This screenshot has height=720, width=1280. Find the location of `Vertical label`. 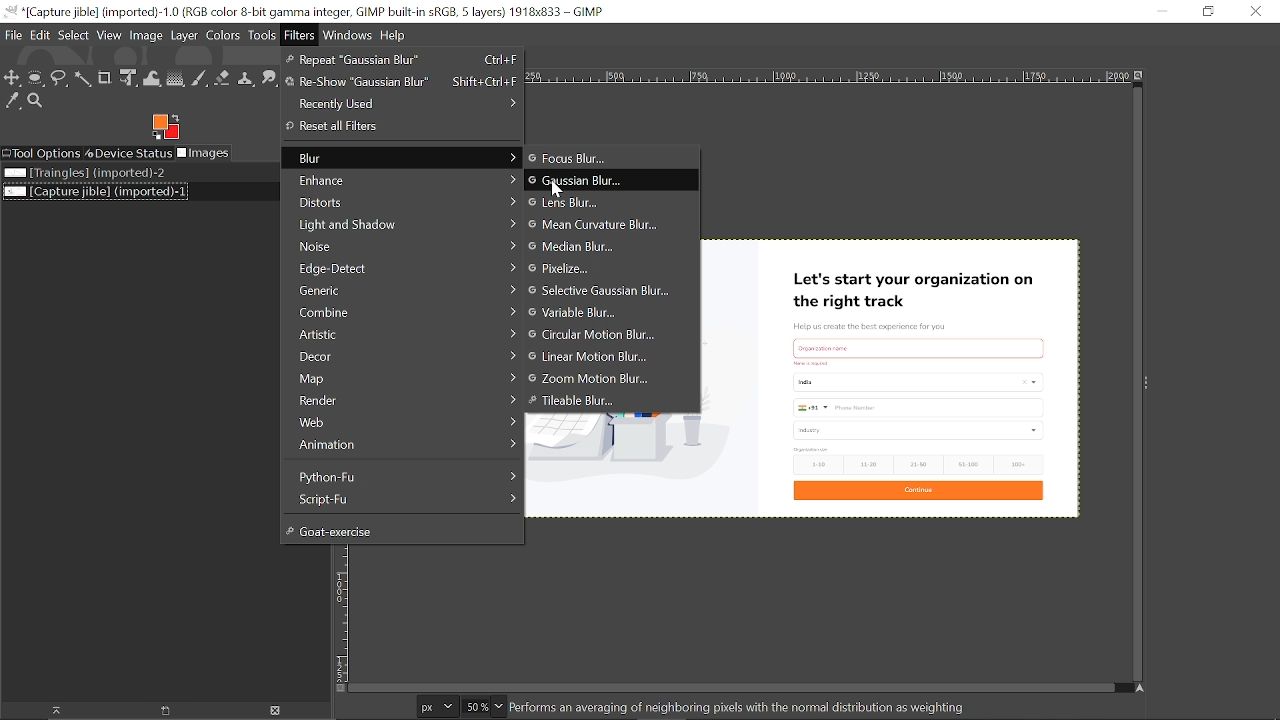

Vertical label is located at coordinates (340, 613).